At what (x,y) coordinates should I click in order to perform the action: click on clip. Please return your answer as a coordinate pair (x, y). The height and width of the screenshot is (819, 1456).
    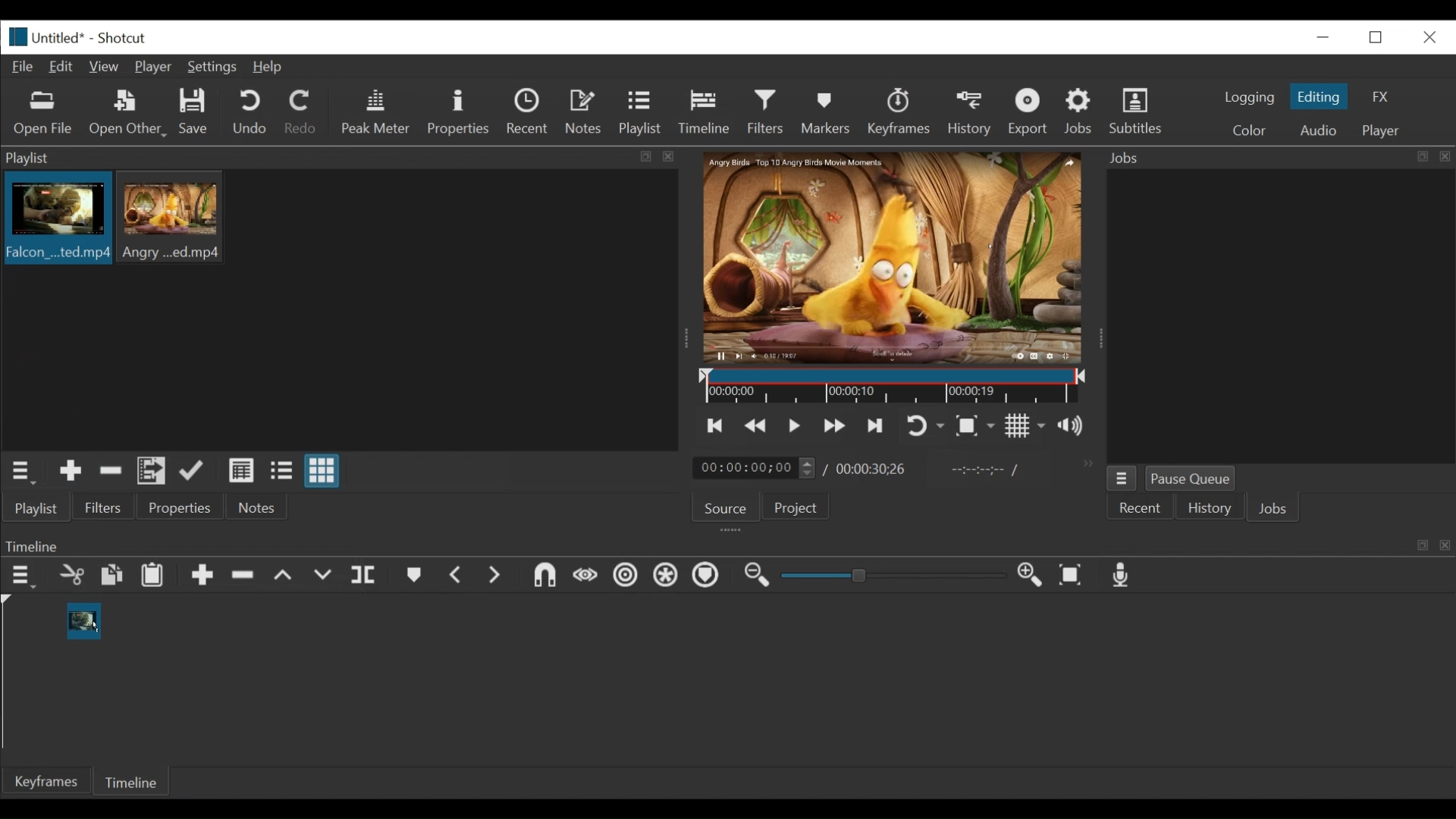
    Looking at the image, I should click on (55, 220).